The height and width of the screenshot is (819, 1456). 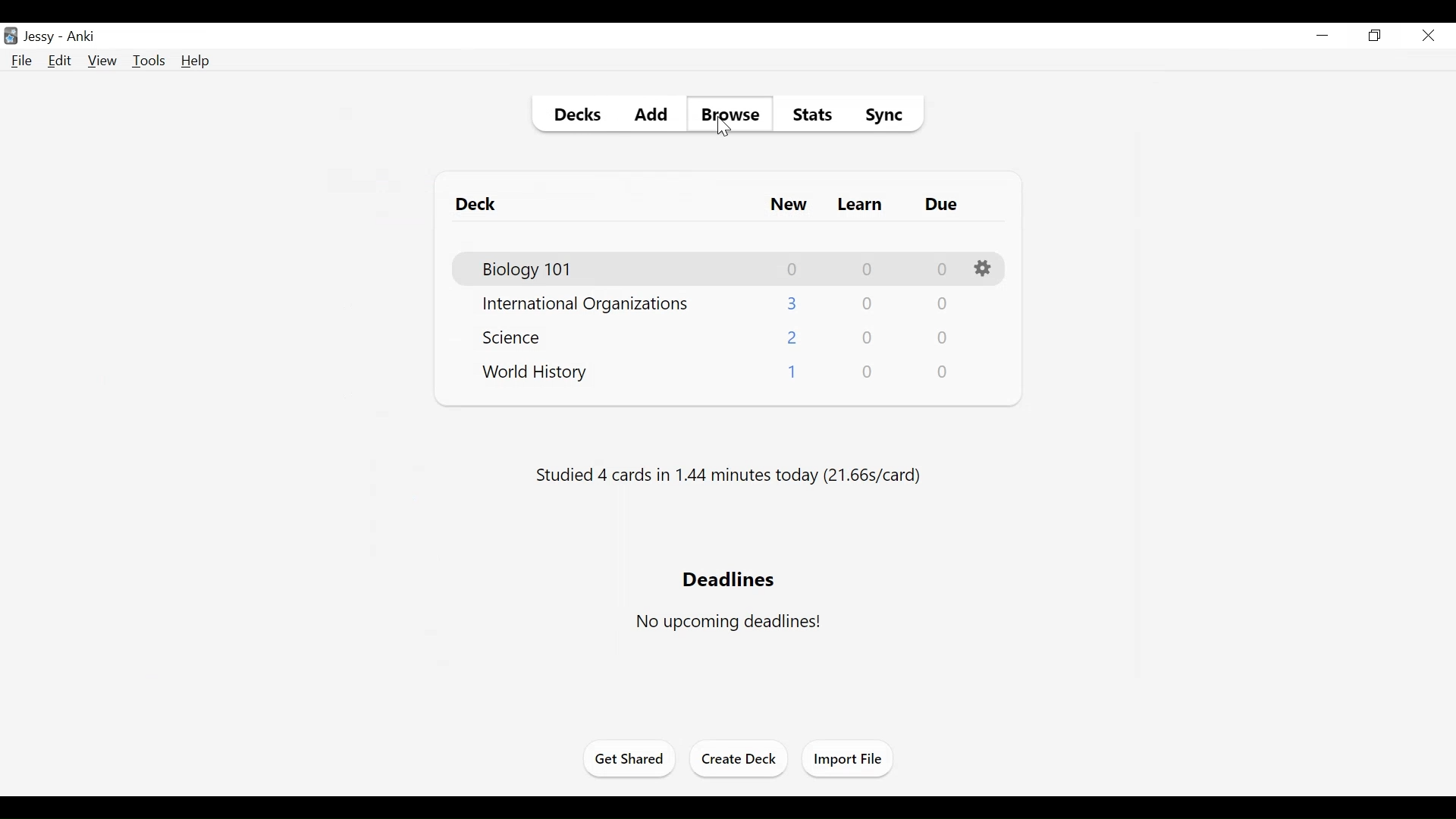 I want to click on Restore, so click(x=1376, y=36).